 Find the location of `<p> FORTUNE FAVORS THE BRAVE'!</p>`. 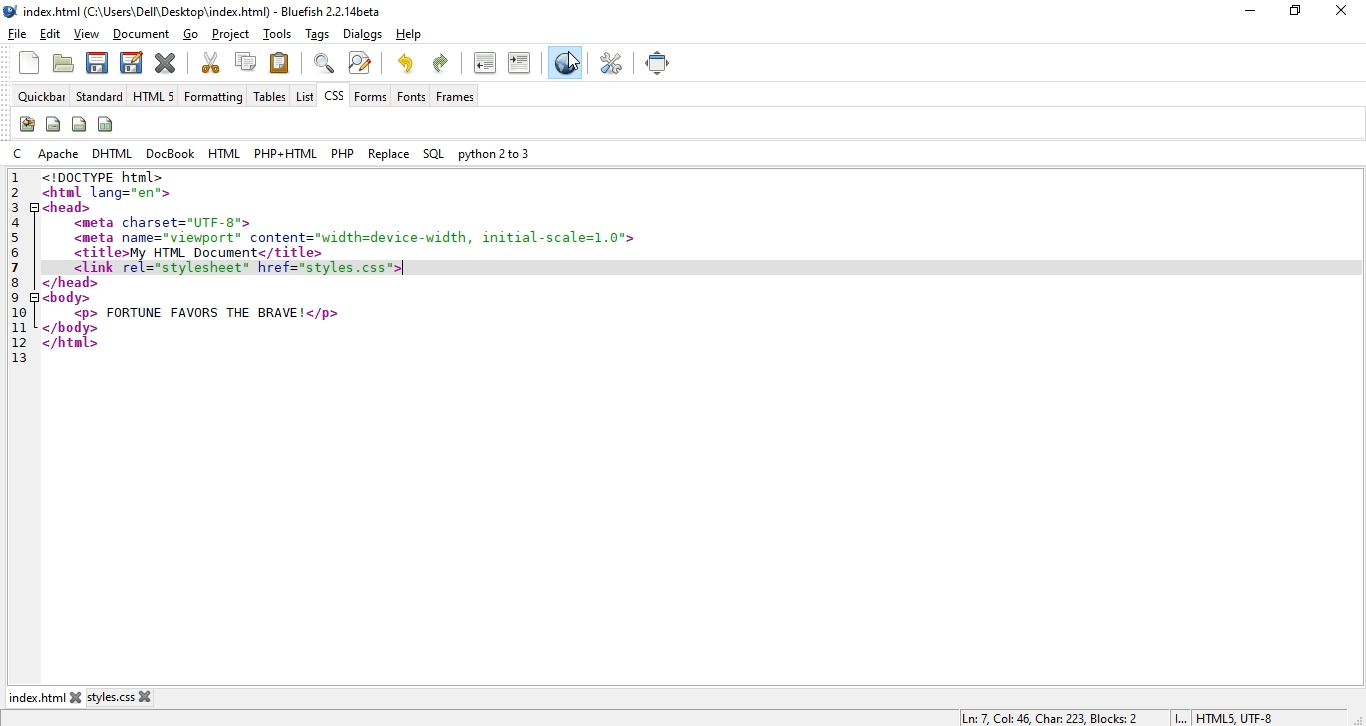

<p> FORTUNE FAVORS THE BRAVE'!</p> is located at coordinates (205, 313).